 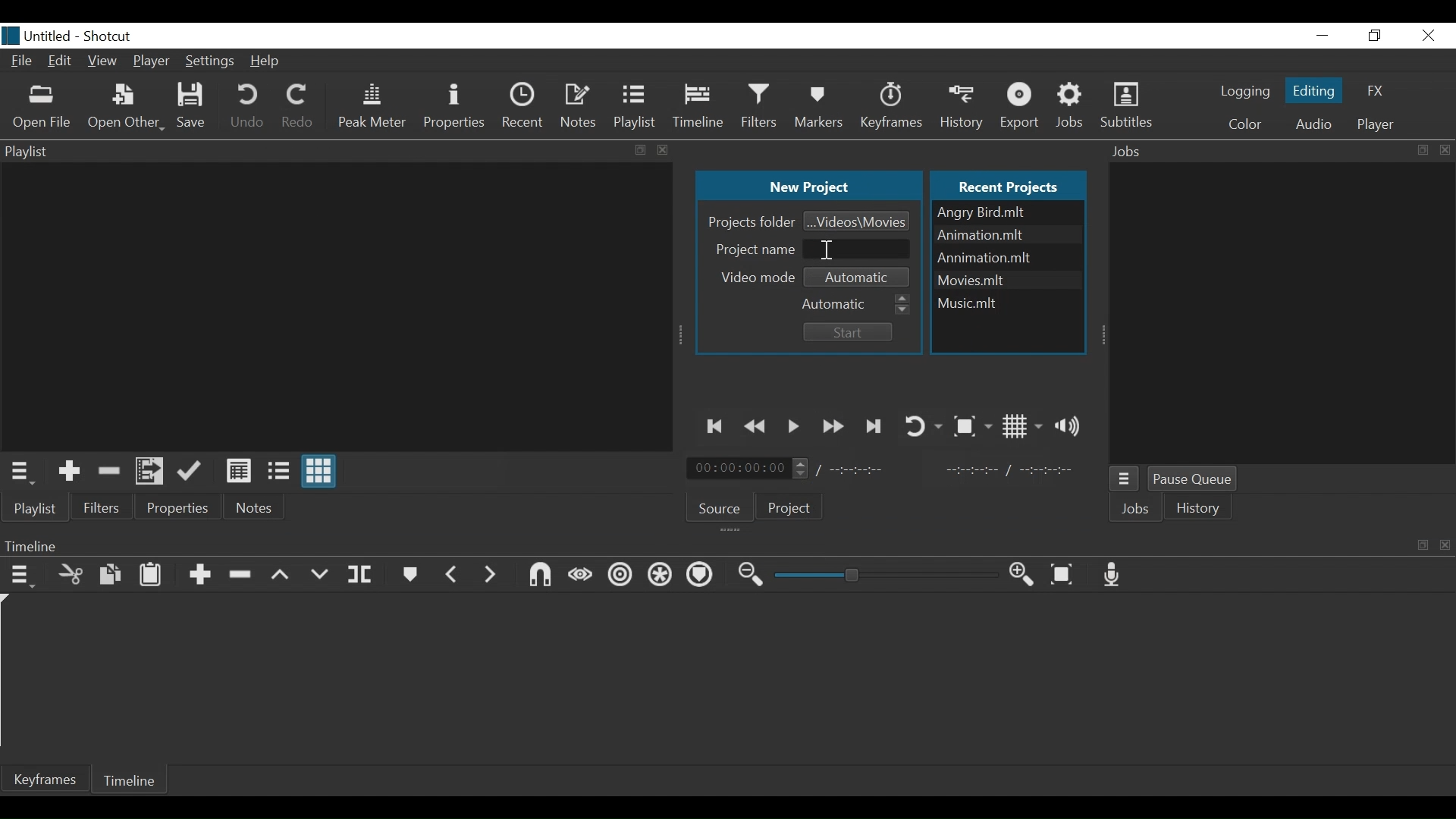 I want to click on Jobs, so click(x=1138, y=510).